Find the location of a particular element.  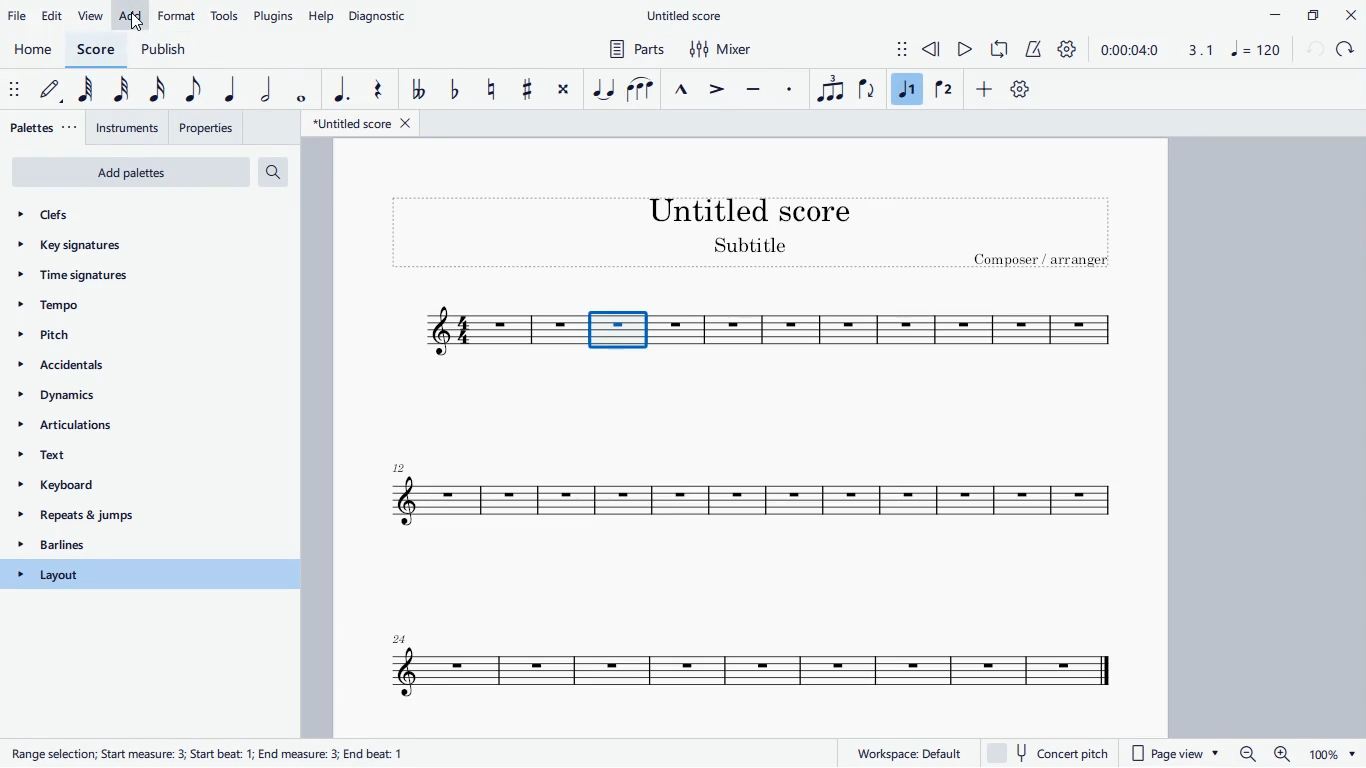

page view is located at coordinates (1178, 754).